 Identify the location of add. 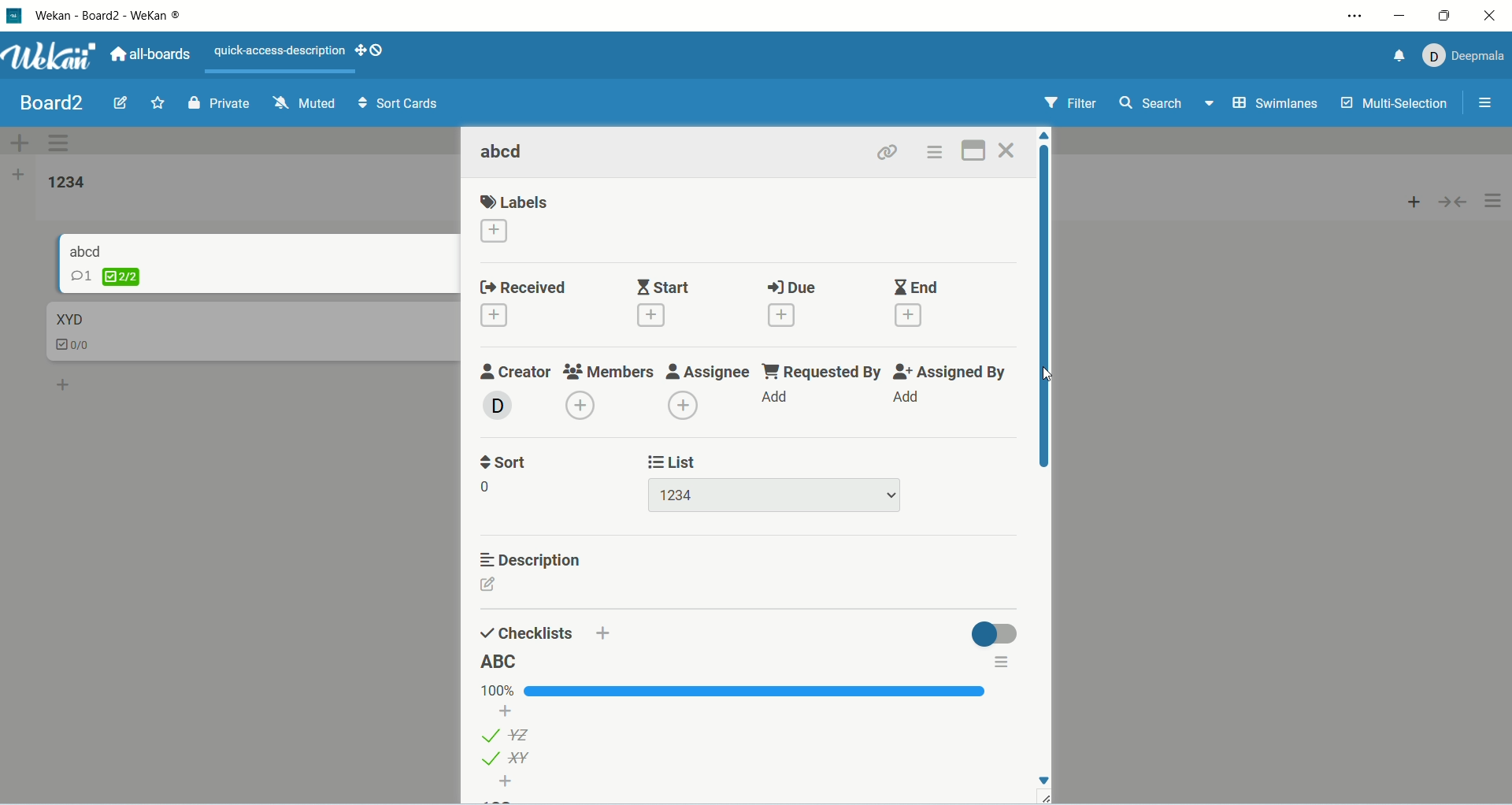
(1410, 205).